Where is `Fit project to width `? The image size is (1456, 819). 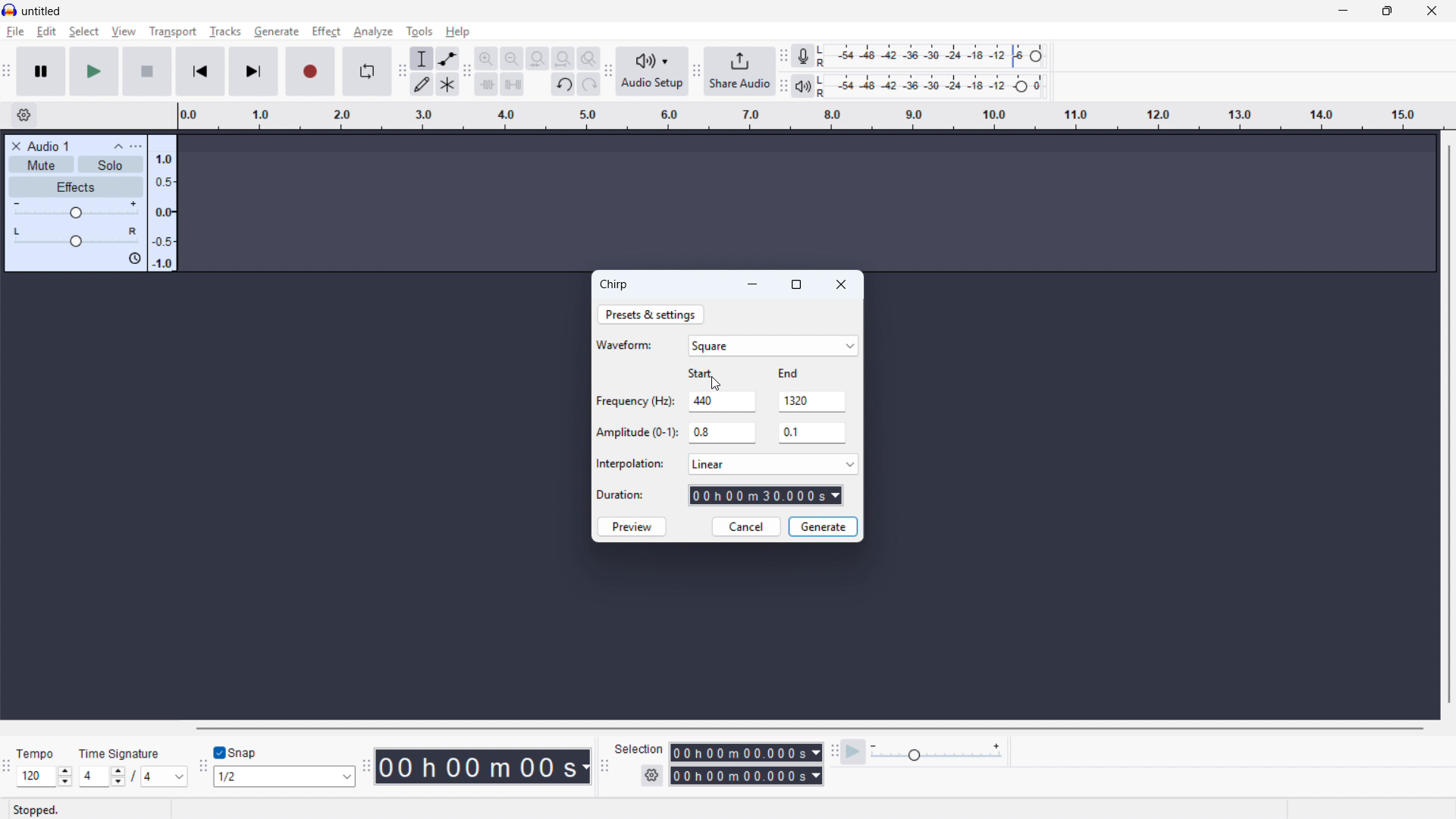
Fit project to width  is located at coordinates (564, 58).